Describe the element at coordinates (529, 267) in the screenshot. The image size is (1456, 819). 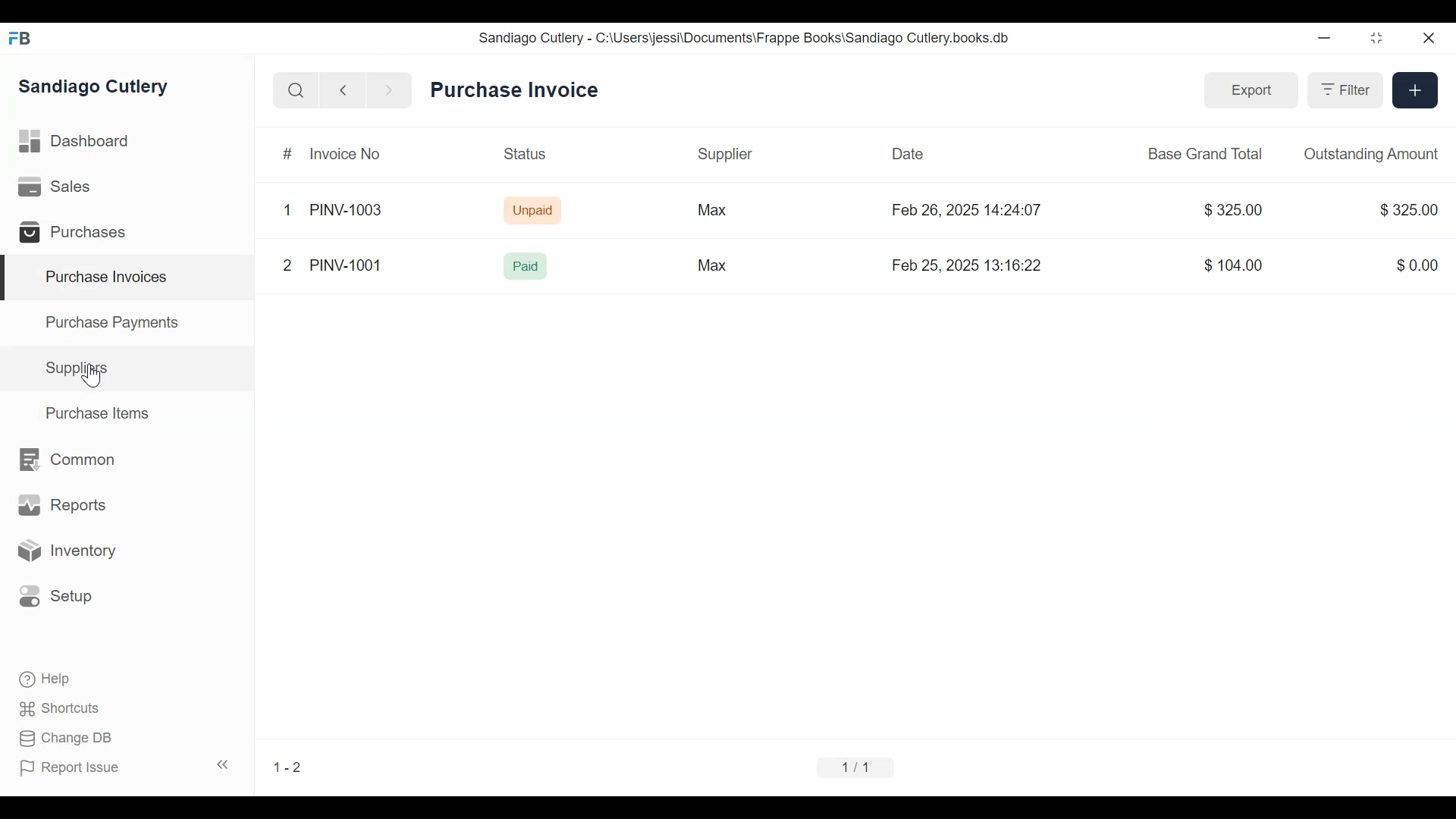
I see `Paid` at that location.